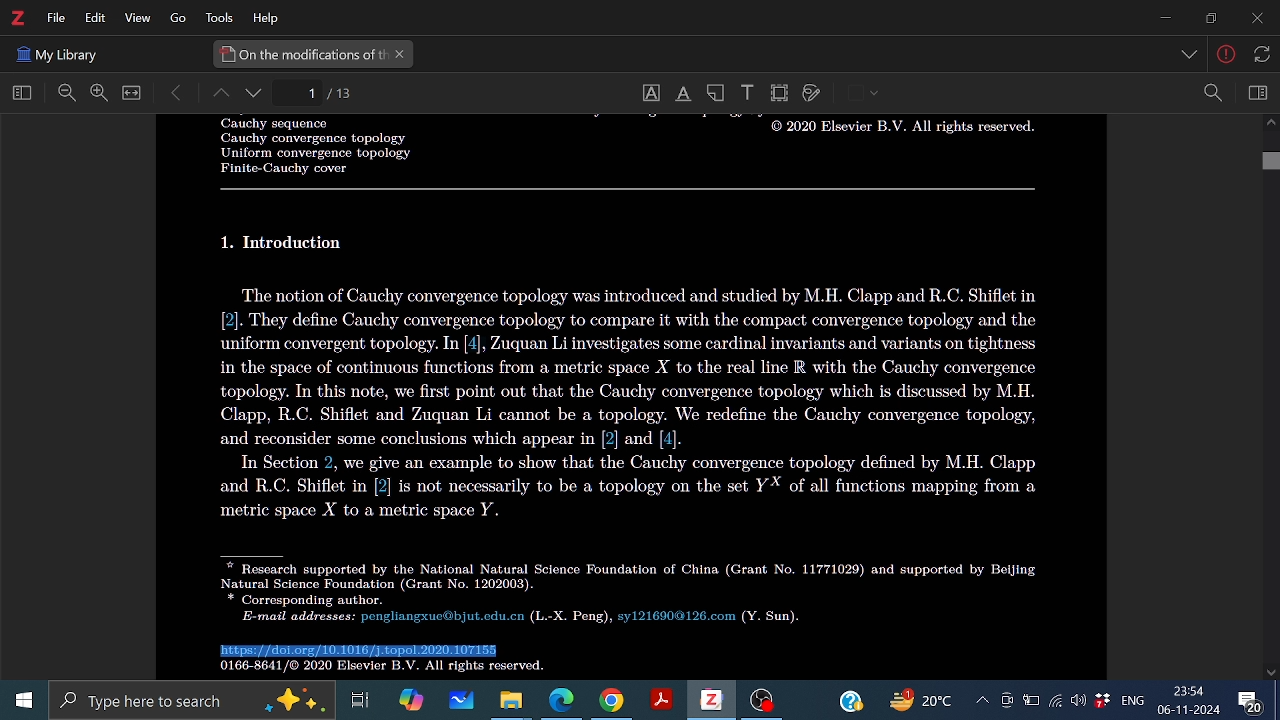 This screenshot has height=720, width=1280. What do you see at coordinates (190, 701) in the screenshot?
I see `Type here to serach` at bounding box center [190, 701].